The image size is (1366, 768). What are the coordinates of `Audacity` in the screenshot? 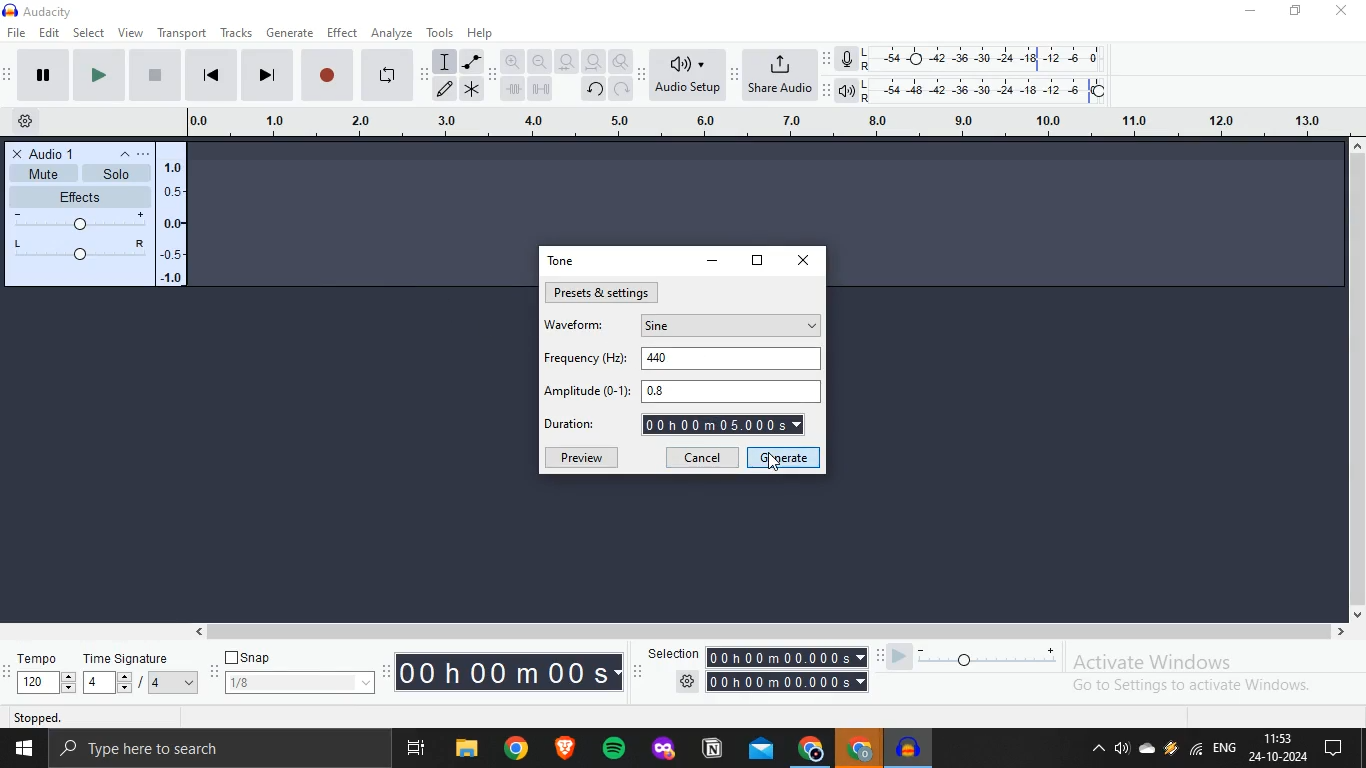 It's located at (34, 12).